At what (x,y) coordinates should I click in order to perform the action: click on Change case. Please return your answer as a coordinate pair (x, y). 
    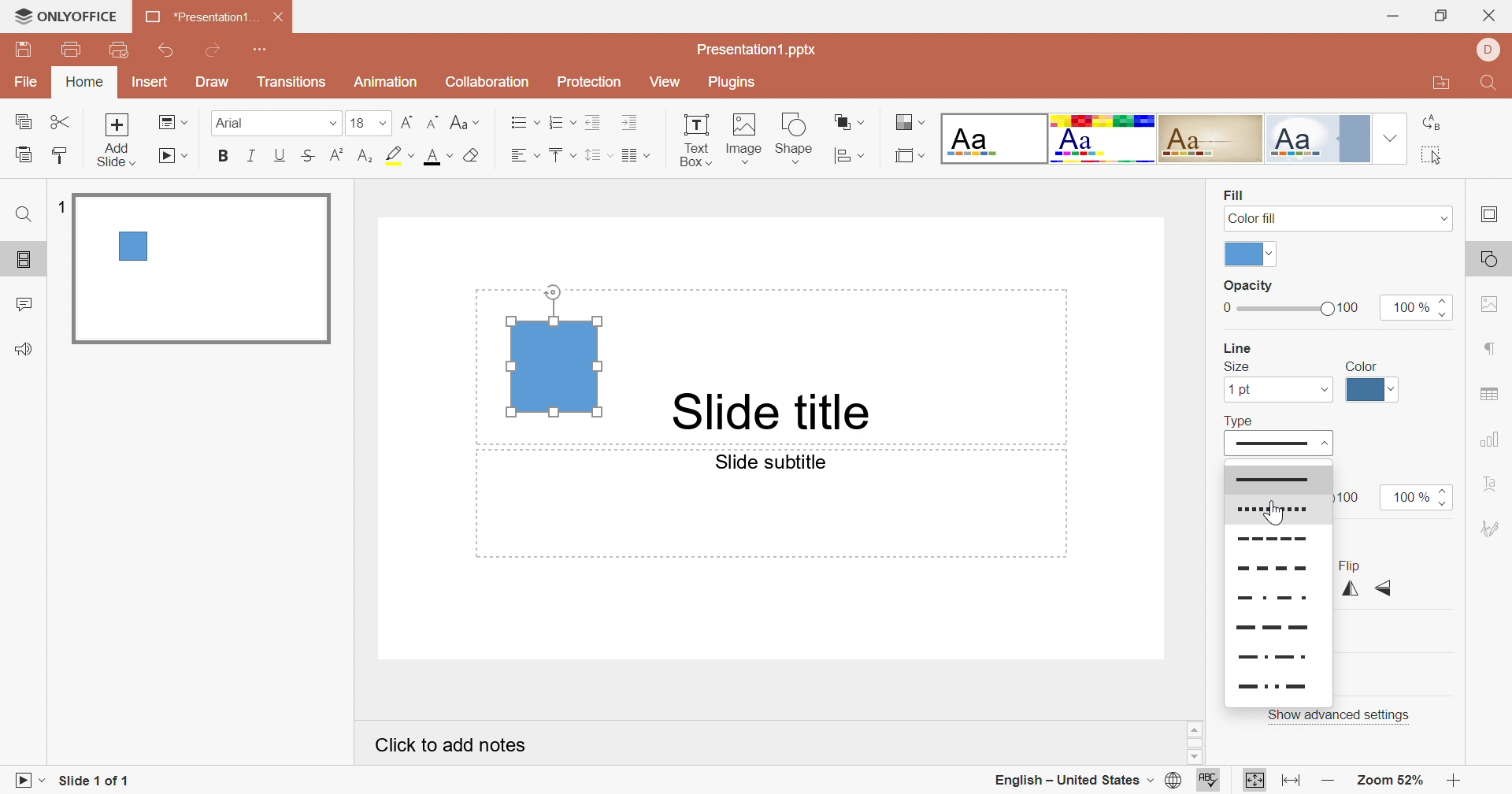
    Looking at the image, I should click on (466, 124).